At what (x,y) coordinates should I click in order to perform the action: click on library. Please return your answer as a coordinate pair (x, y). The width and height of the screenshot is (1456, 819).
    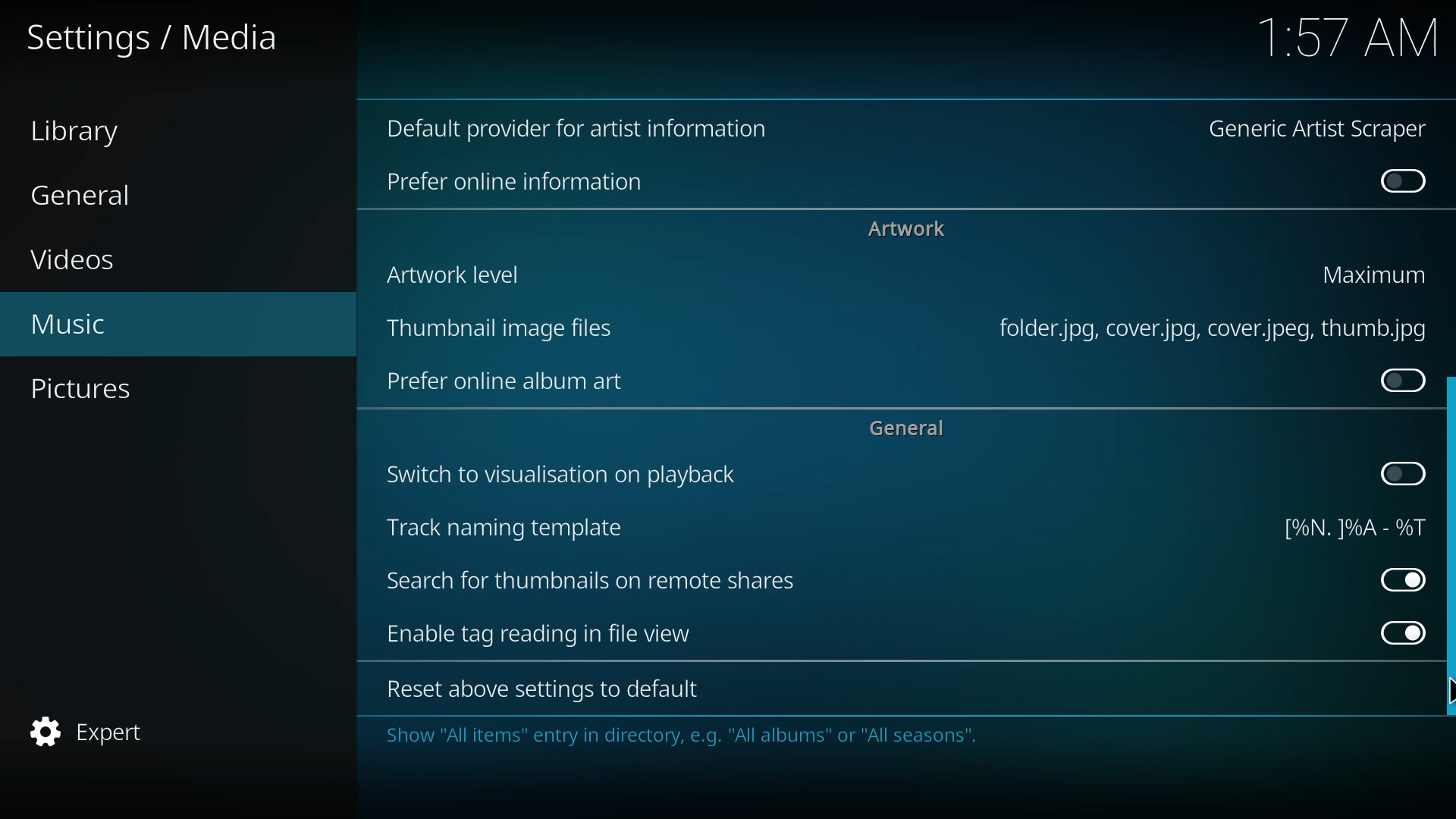
    Looking at the image, I should click on (85, 133).